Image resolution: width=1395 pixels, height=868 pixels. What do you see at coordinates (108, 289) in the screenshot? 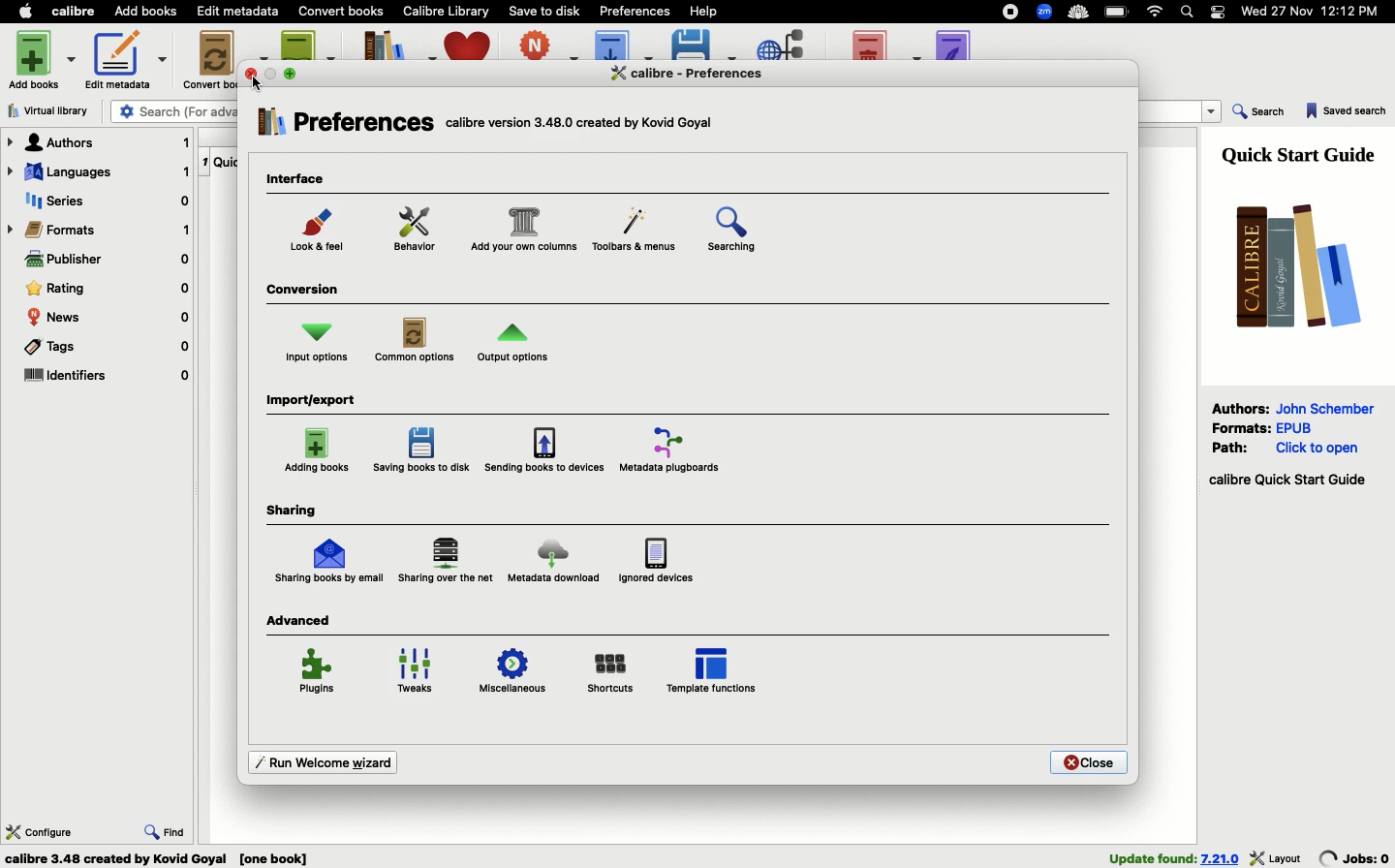
I see `Rating` at bounding box center [108, 289].